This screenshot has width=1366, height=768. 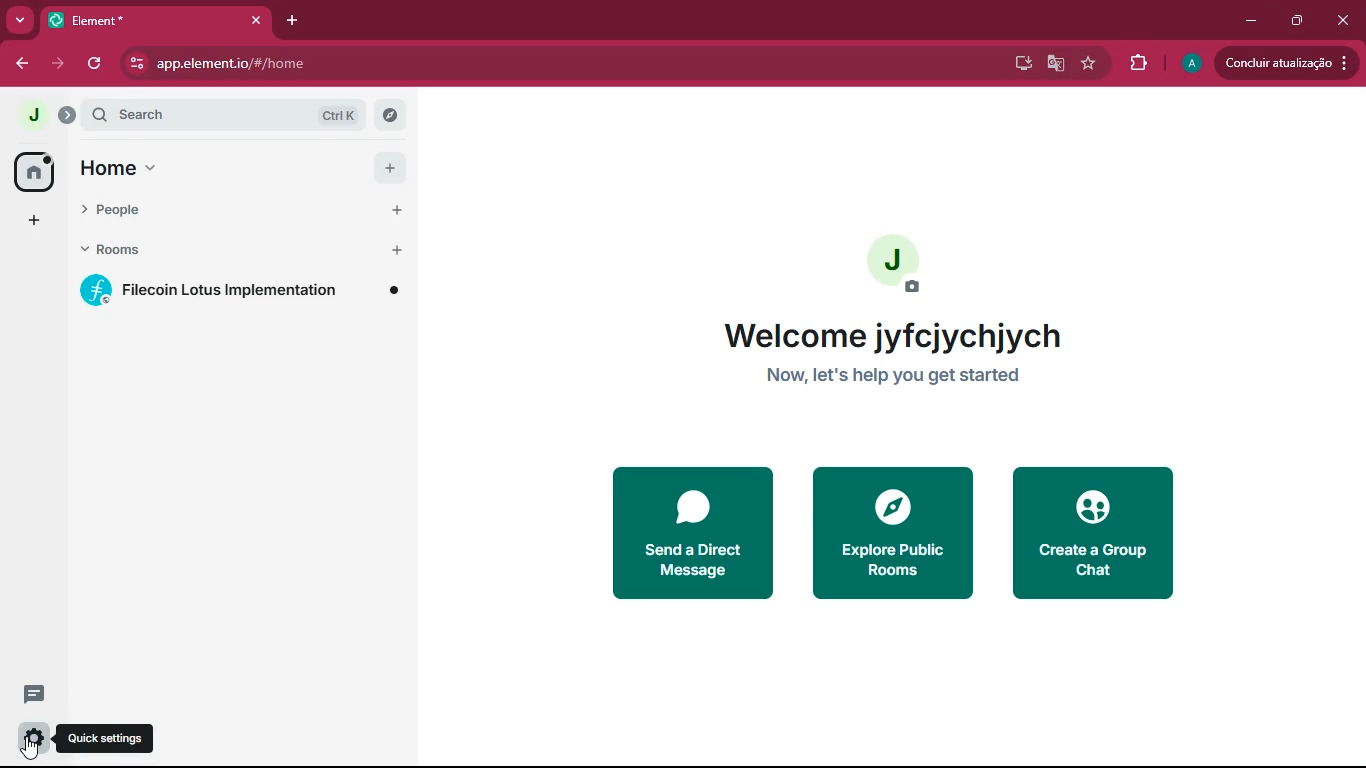 What do you see at coordinates (1093, 534) in the screenshot?
I see `create a group chat` at bounding box center [1093, 534].